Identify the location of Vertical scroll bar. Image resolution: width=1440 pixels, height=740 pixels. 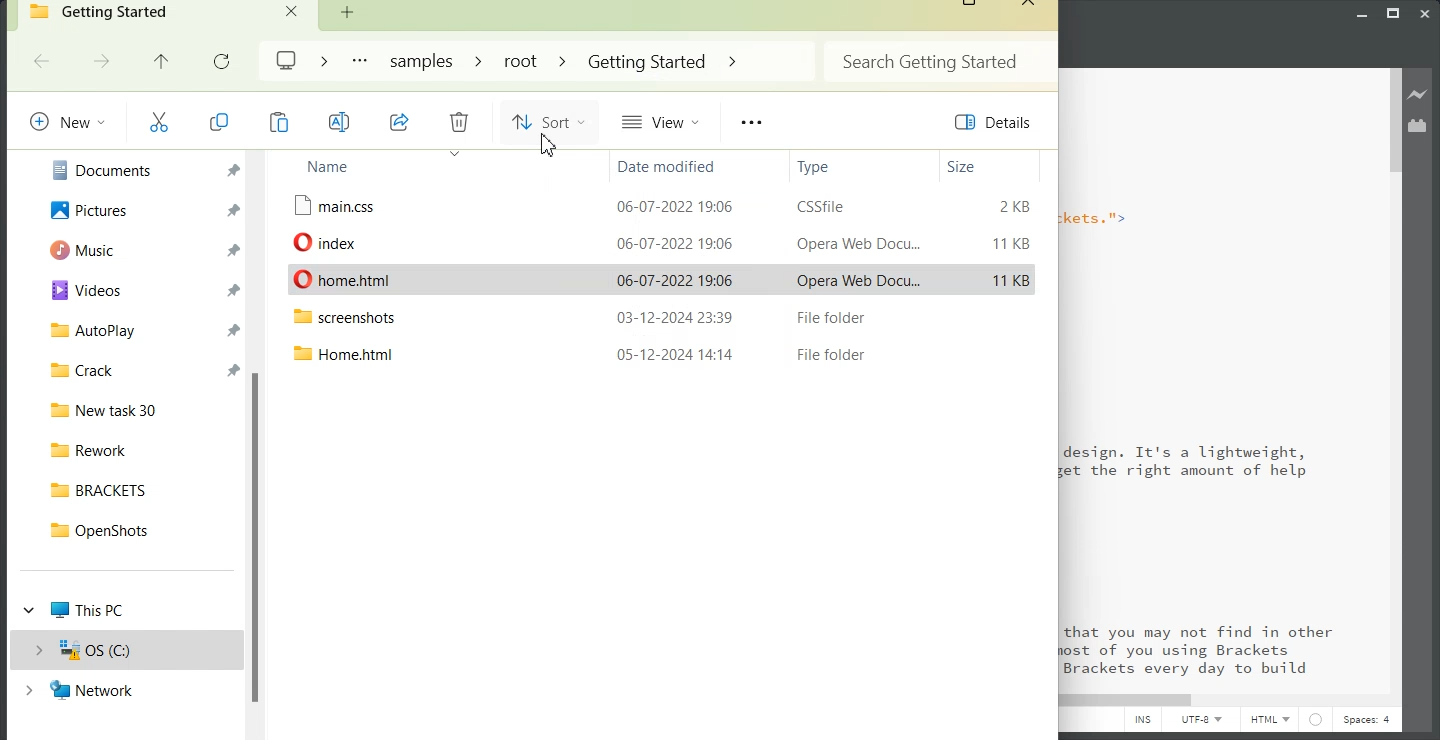
(257, 444).